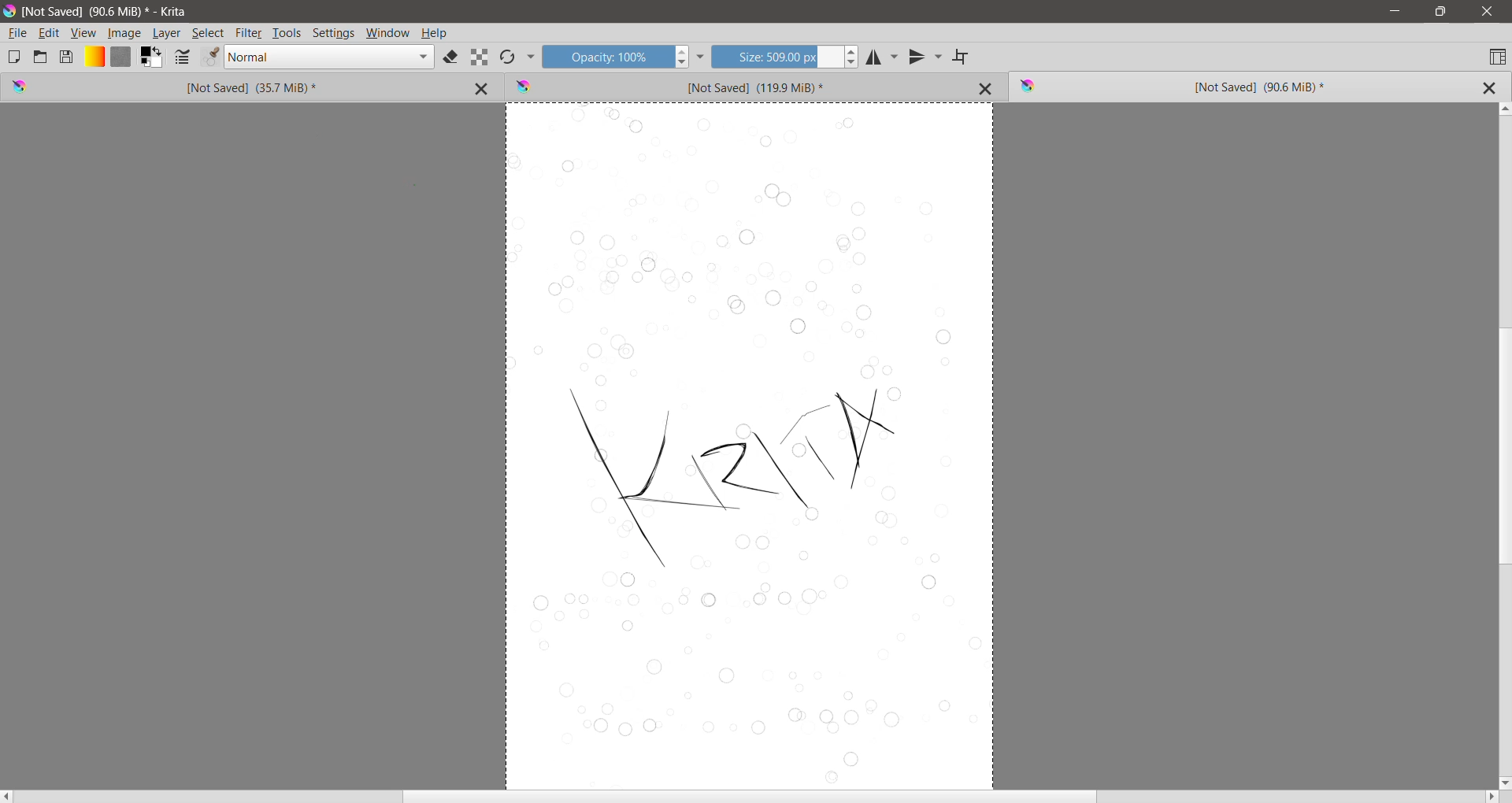 Image resolution: width=1512 pixels, height=803 pixels. I want to click on Settings, so click(334, 34).